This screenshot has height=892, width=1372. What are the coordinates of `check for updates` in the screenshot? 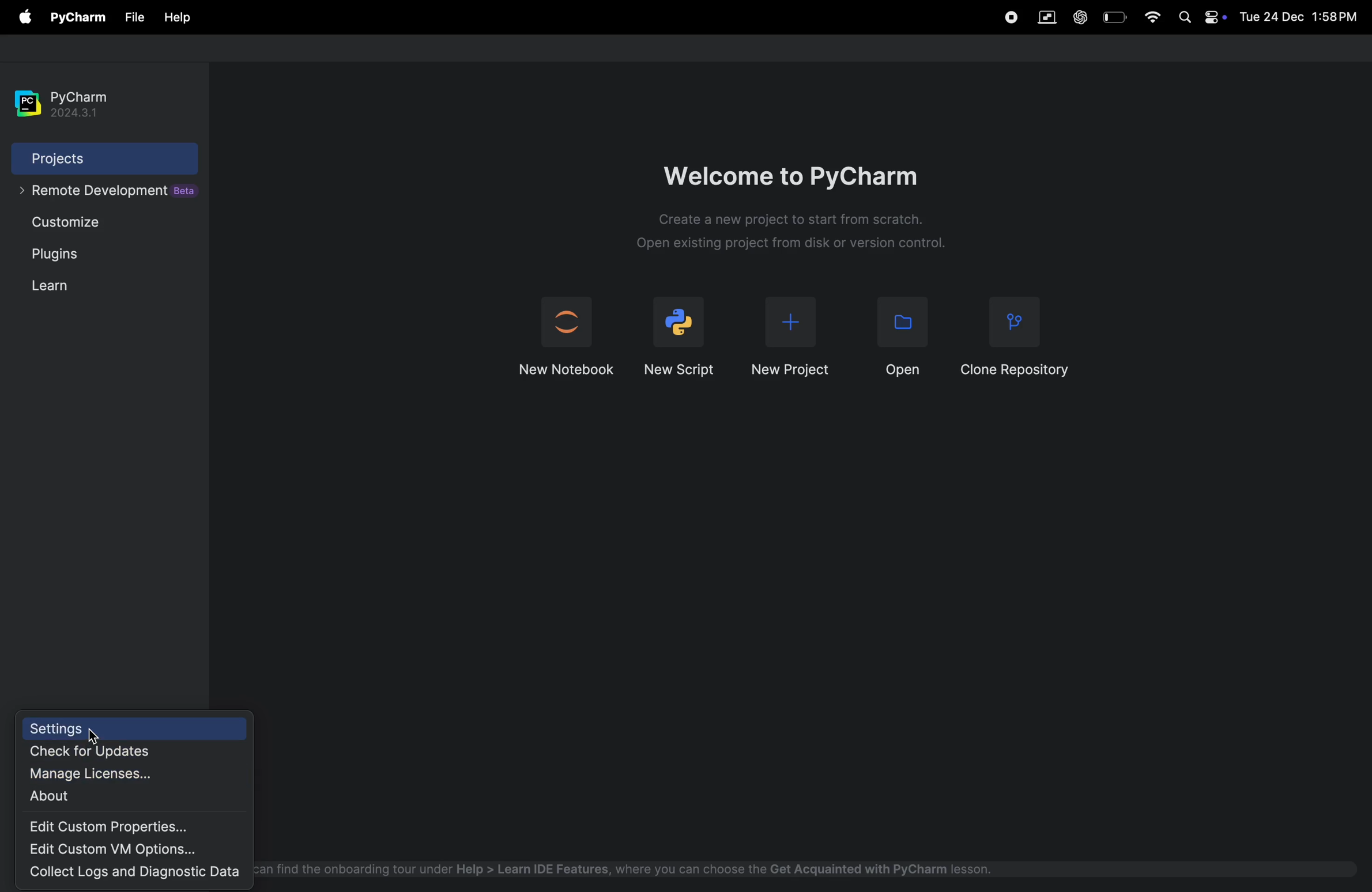 It's located at (119, 752).